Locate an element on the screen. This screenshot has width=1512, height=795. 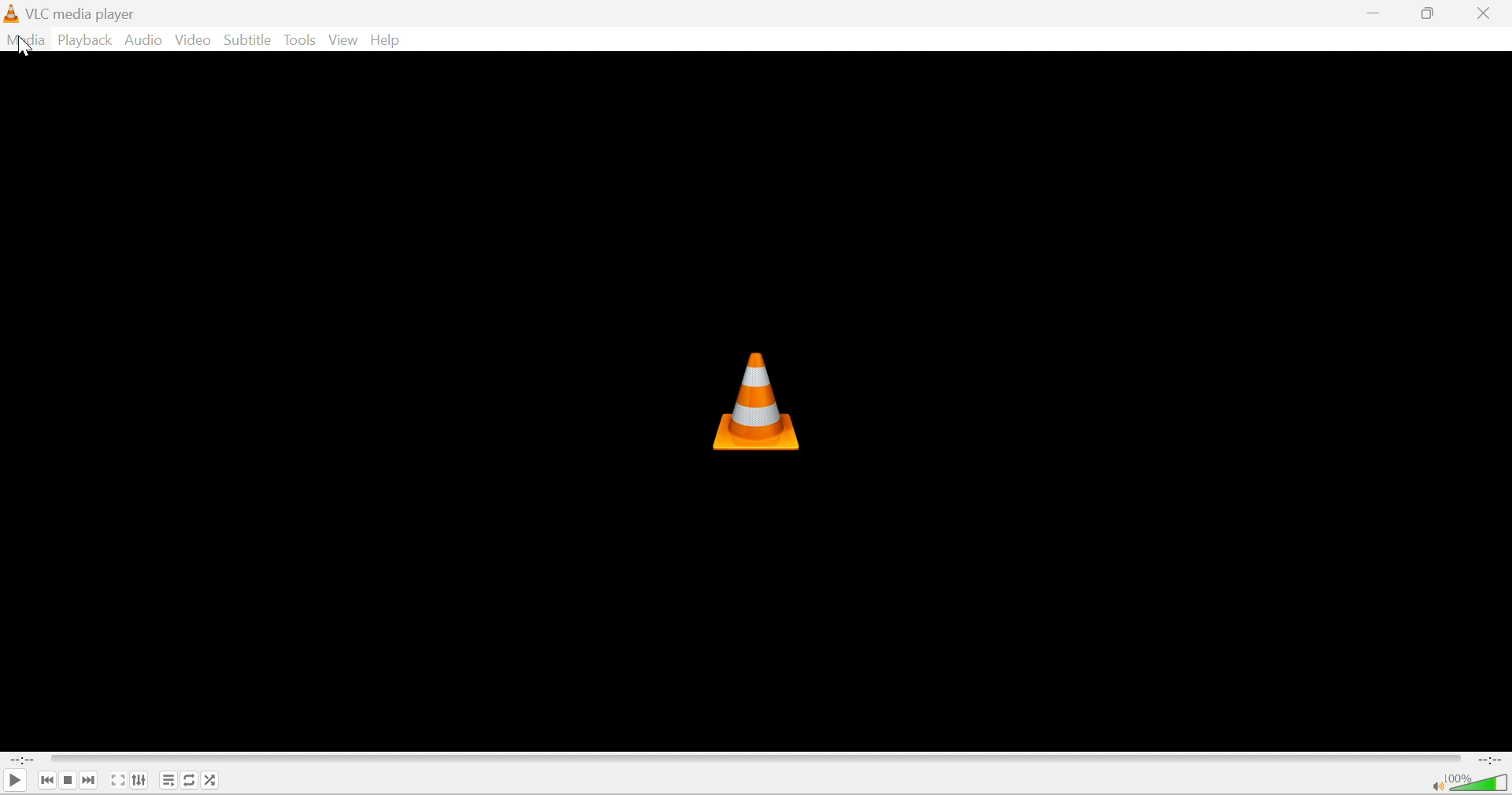
Start Time is located at coordinates (21, 762).